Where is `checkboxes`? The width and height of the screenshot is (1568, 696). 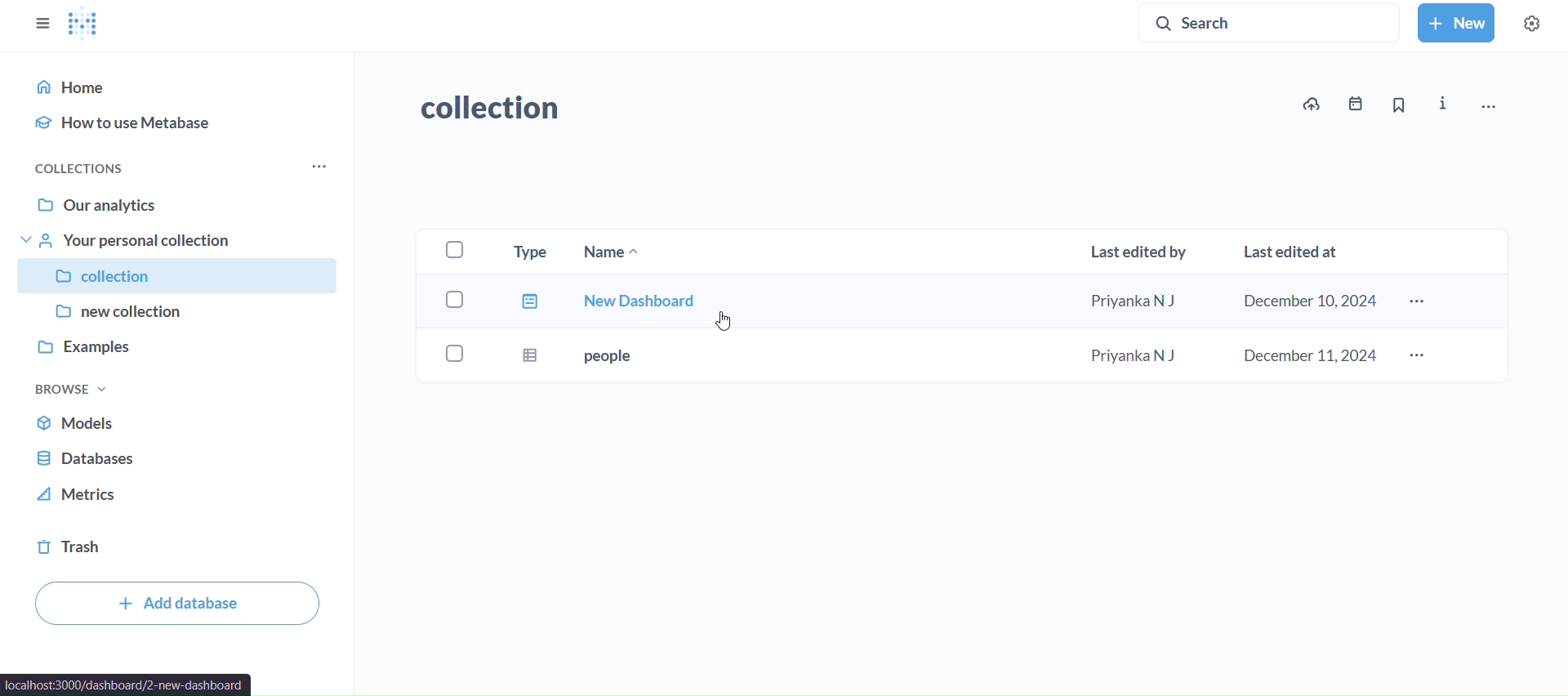 checkboxes is located at coordinates (449, 307).